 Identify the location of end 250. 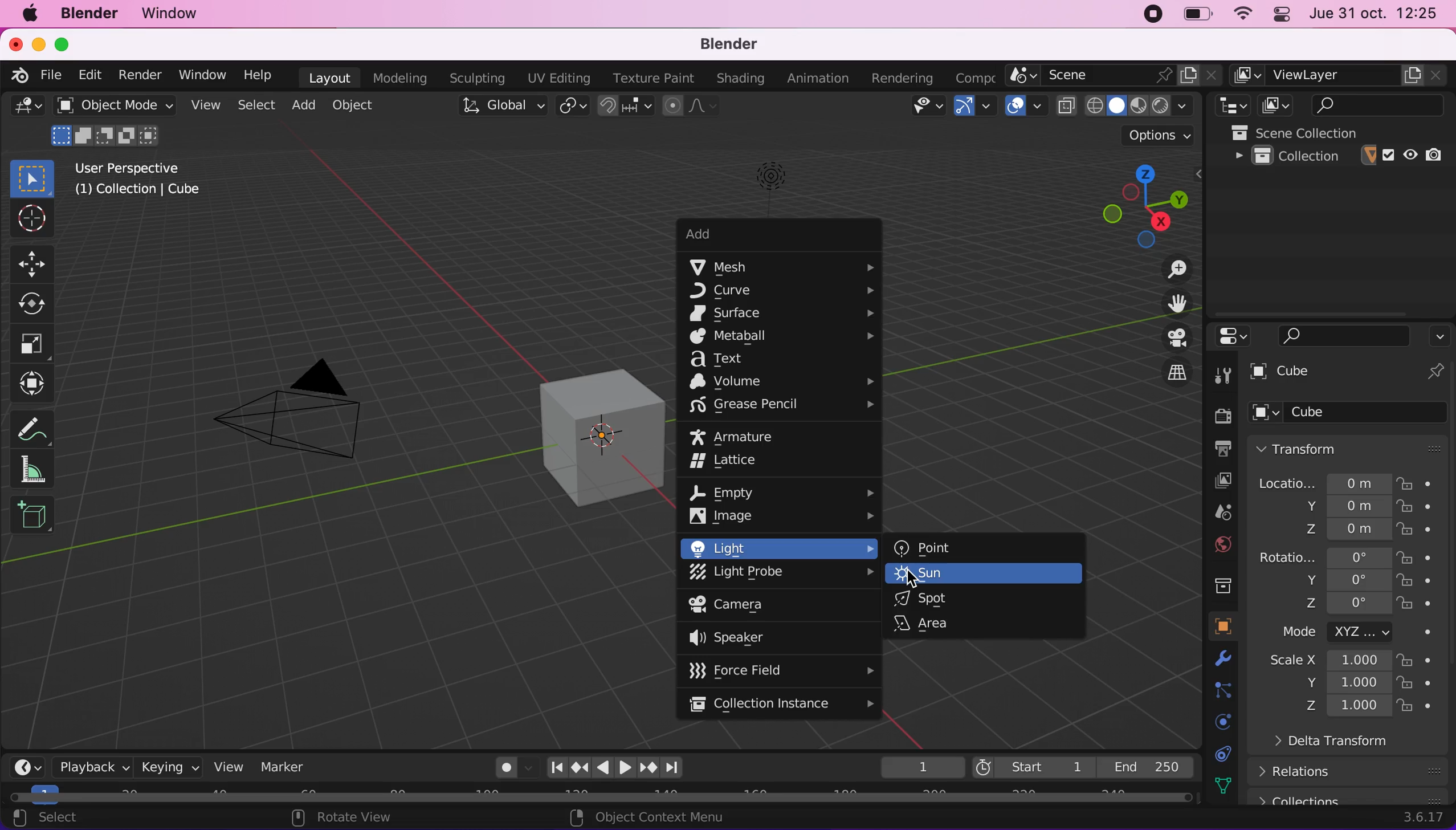
(1145, 765).